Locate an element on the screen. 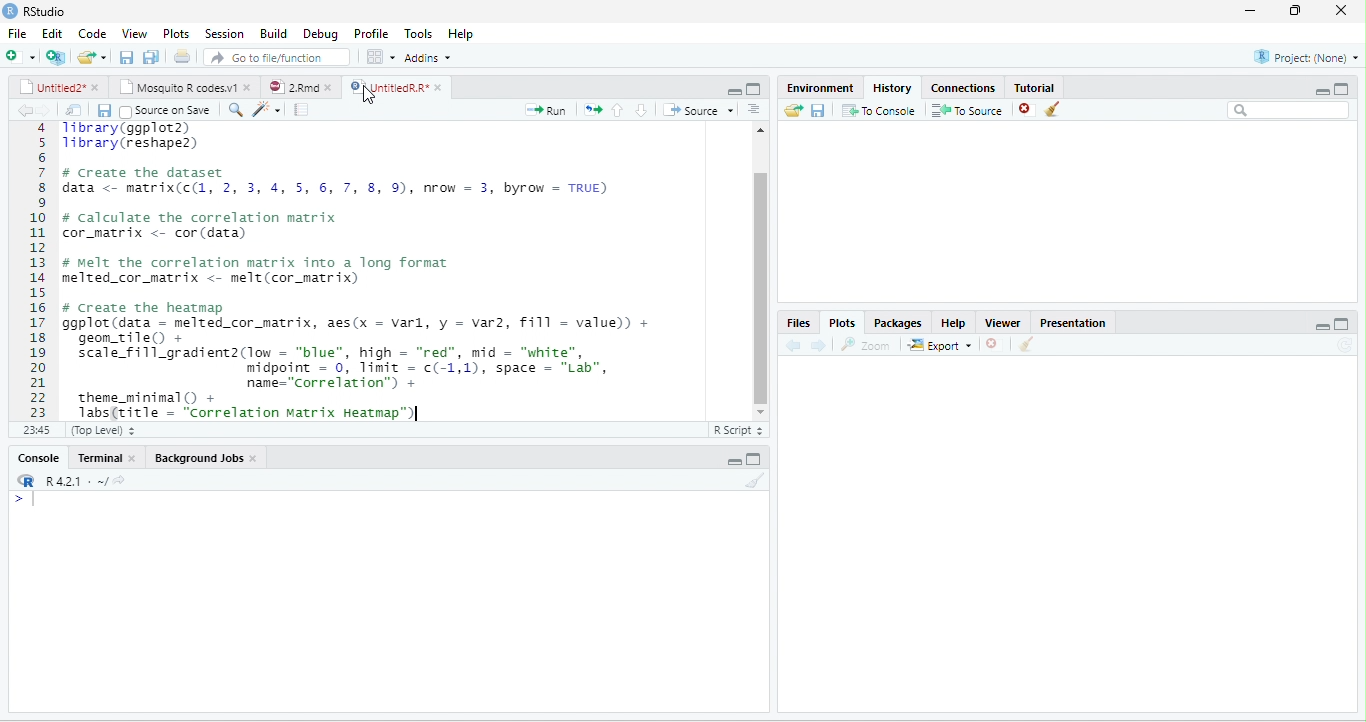  minimize is located at coordinates (1248, 11).